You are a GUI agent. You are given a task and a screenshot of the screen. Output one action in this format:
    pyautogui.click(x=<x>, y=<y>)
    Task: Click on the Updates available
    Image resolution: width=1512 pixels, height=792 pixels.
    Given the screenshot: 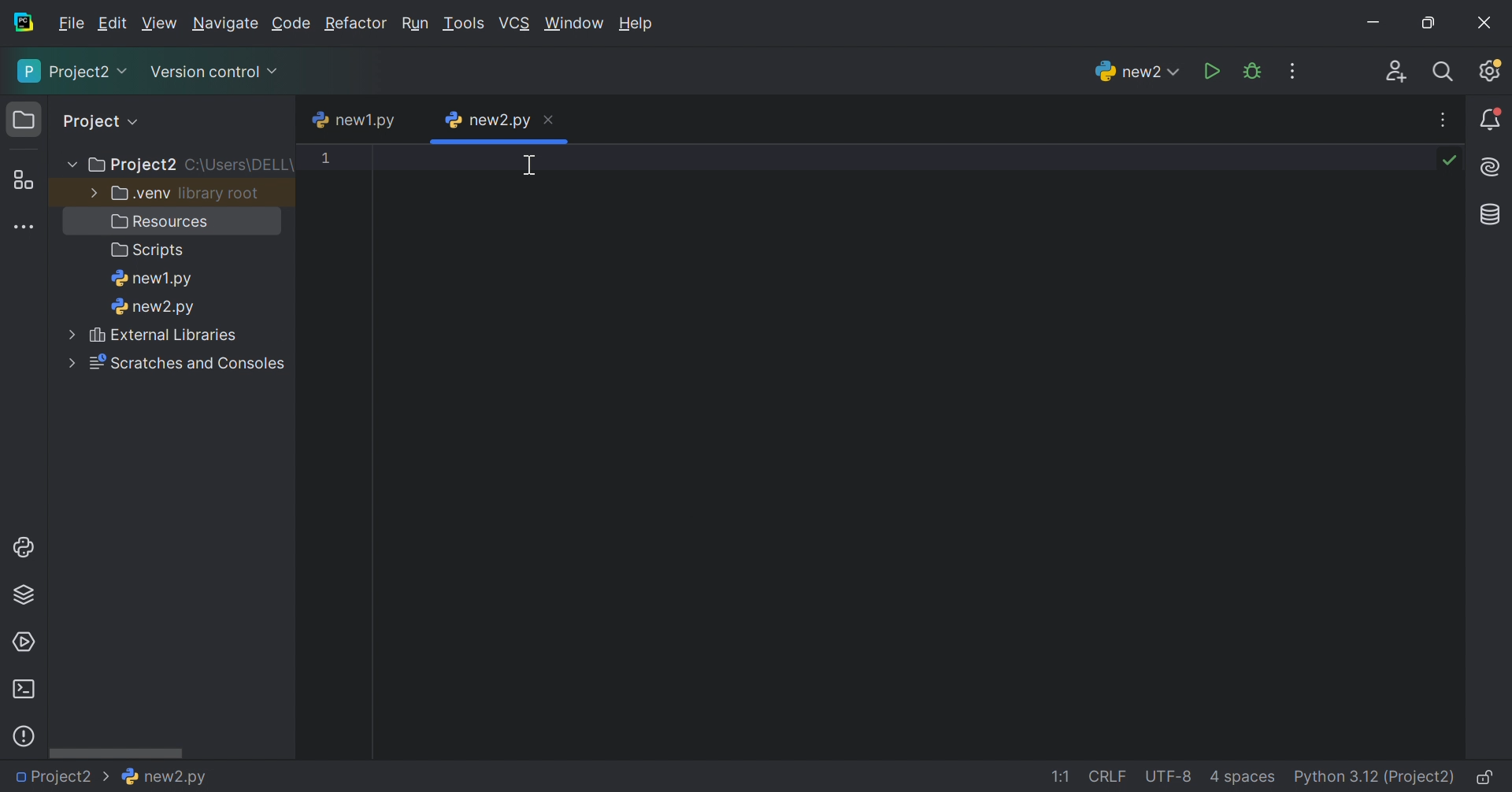 What is the action you would take?
    pyautogui.click(x=1488, y=72)
    